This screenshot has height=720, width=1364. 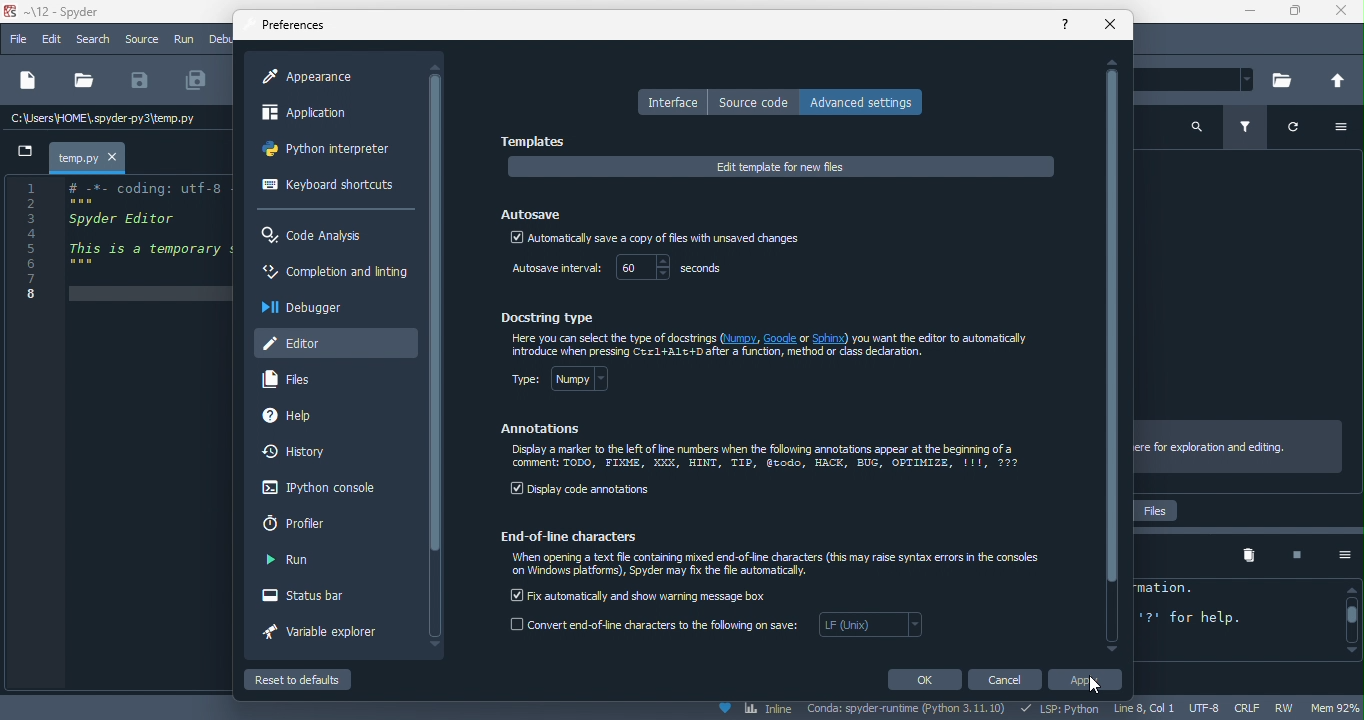 I want to click on end of the characters, so click(x=578, y=535).